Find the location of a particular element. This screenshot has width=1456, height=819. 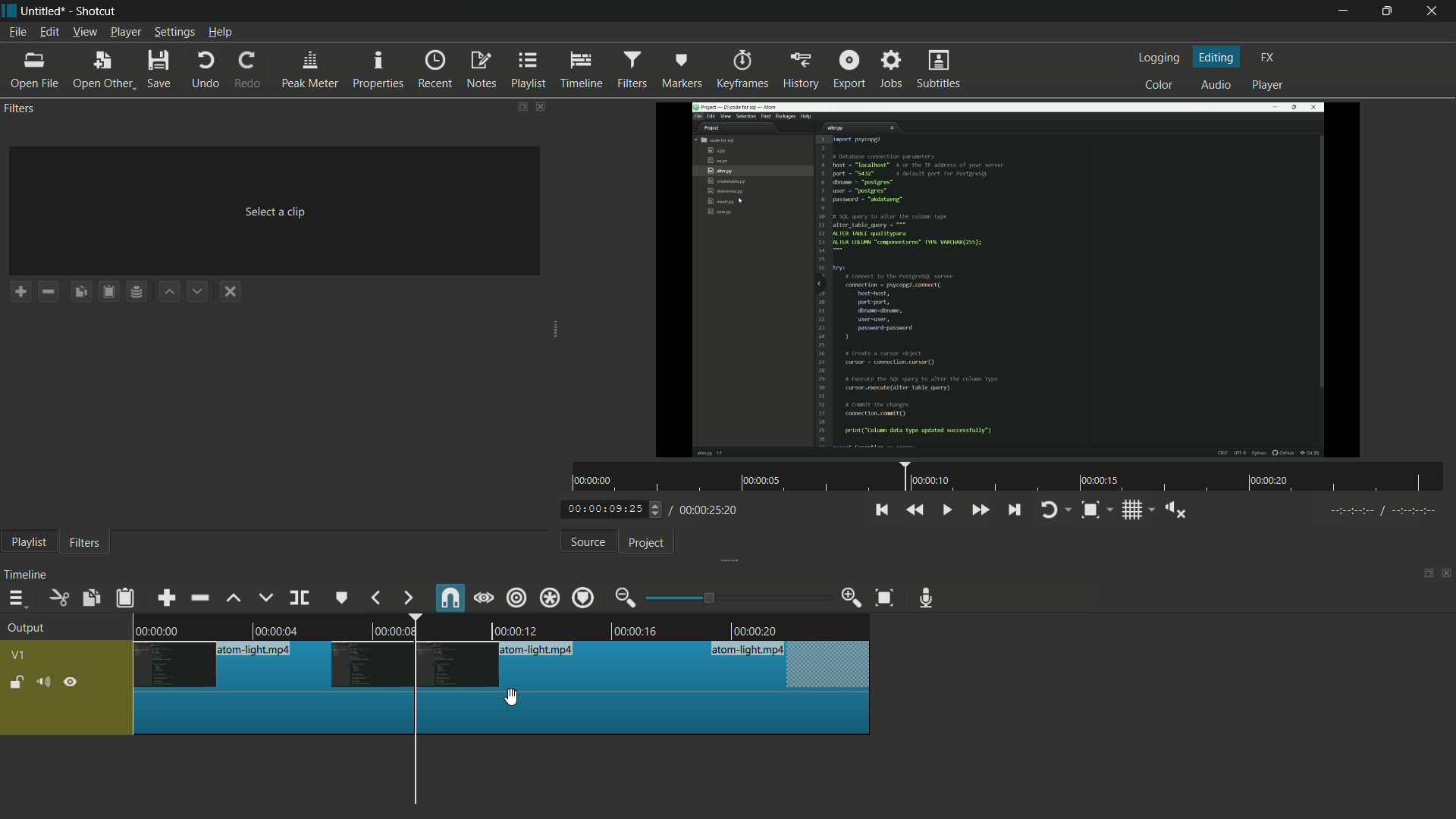

video in timeline is located at coordinates (504, 625).